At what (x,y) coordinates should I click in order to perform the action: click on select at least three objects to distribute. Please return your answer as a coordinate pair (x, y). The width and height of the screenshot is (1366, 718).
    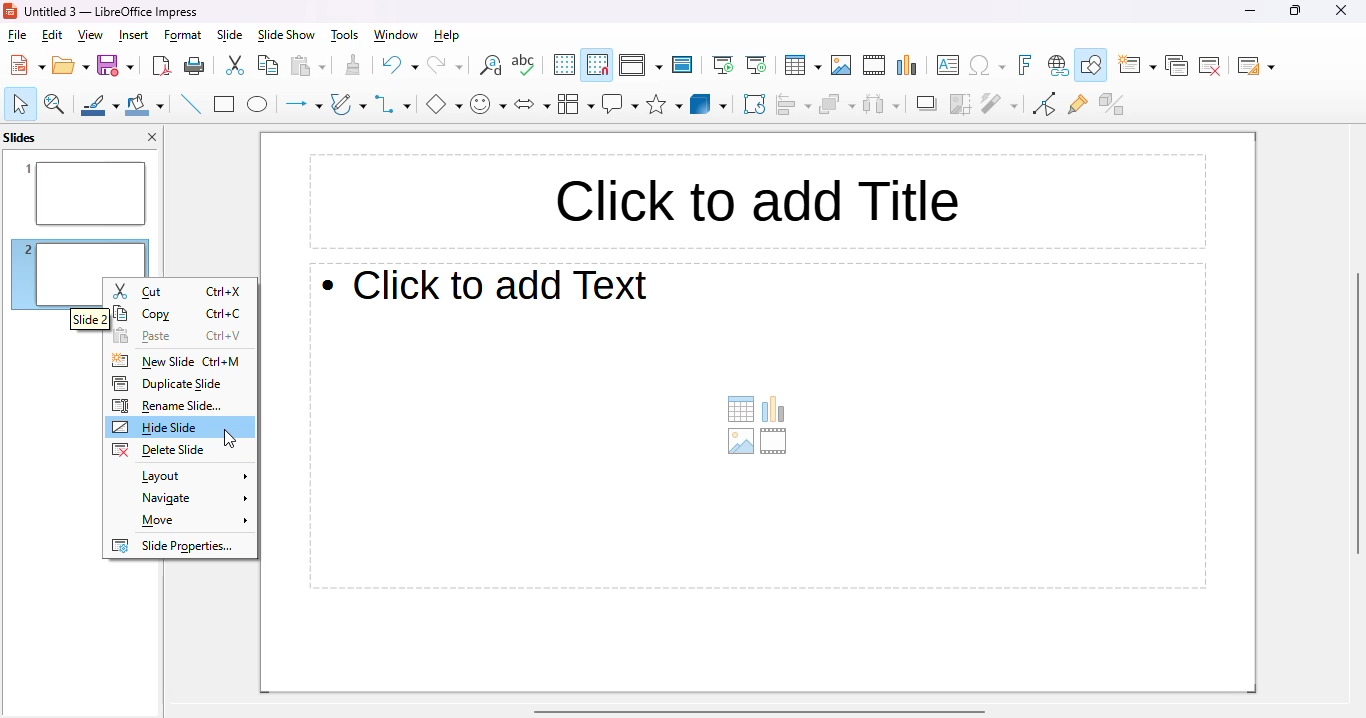
    Looking at the image, I should click on (882, 103).